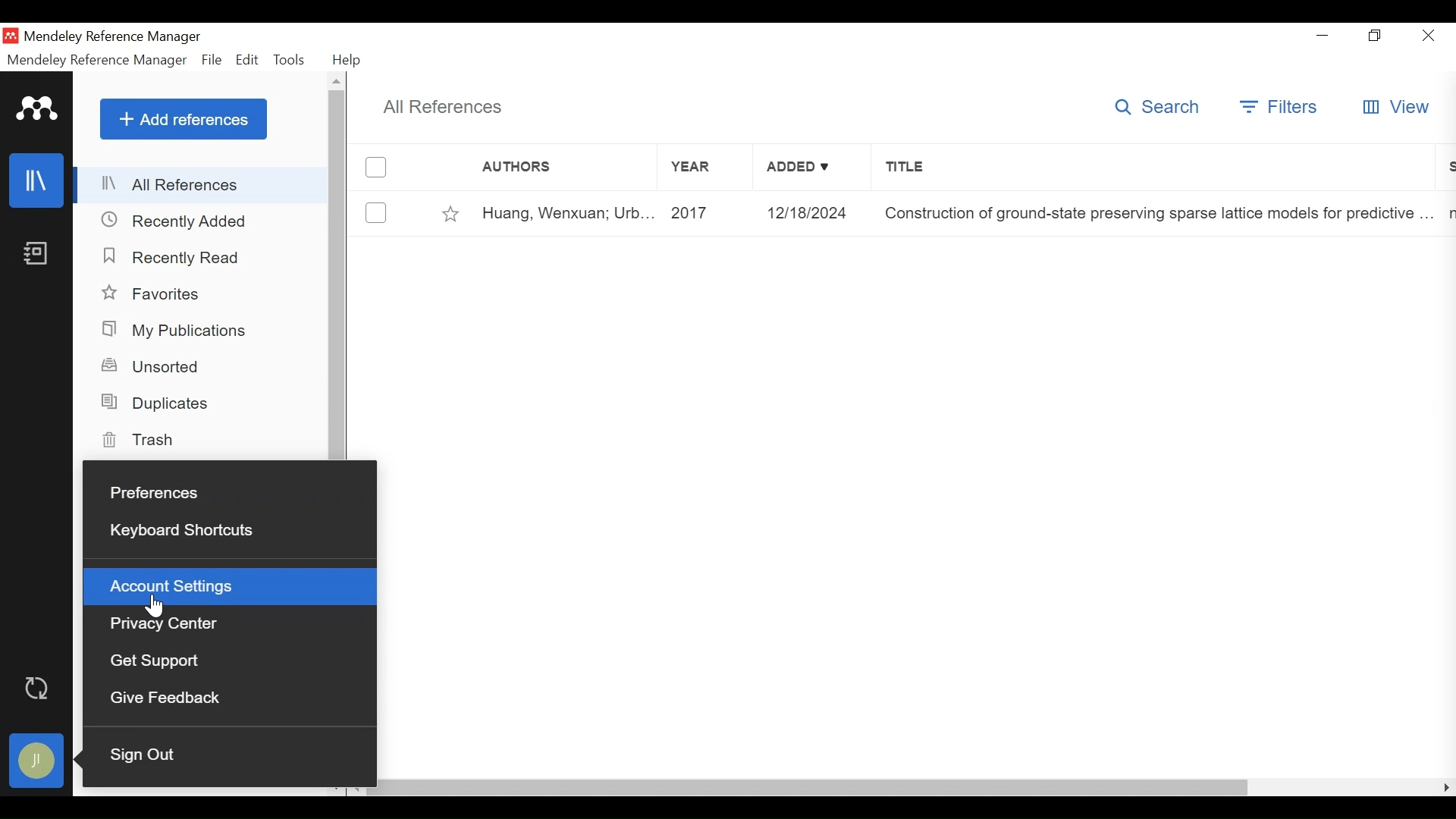 The image size is (1456, 819). What do you see at coordinates (230, 587) in the screenshot?
I see `Account Settings` at bounding box center [230, 587].